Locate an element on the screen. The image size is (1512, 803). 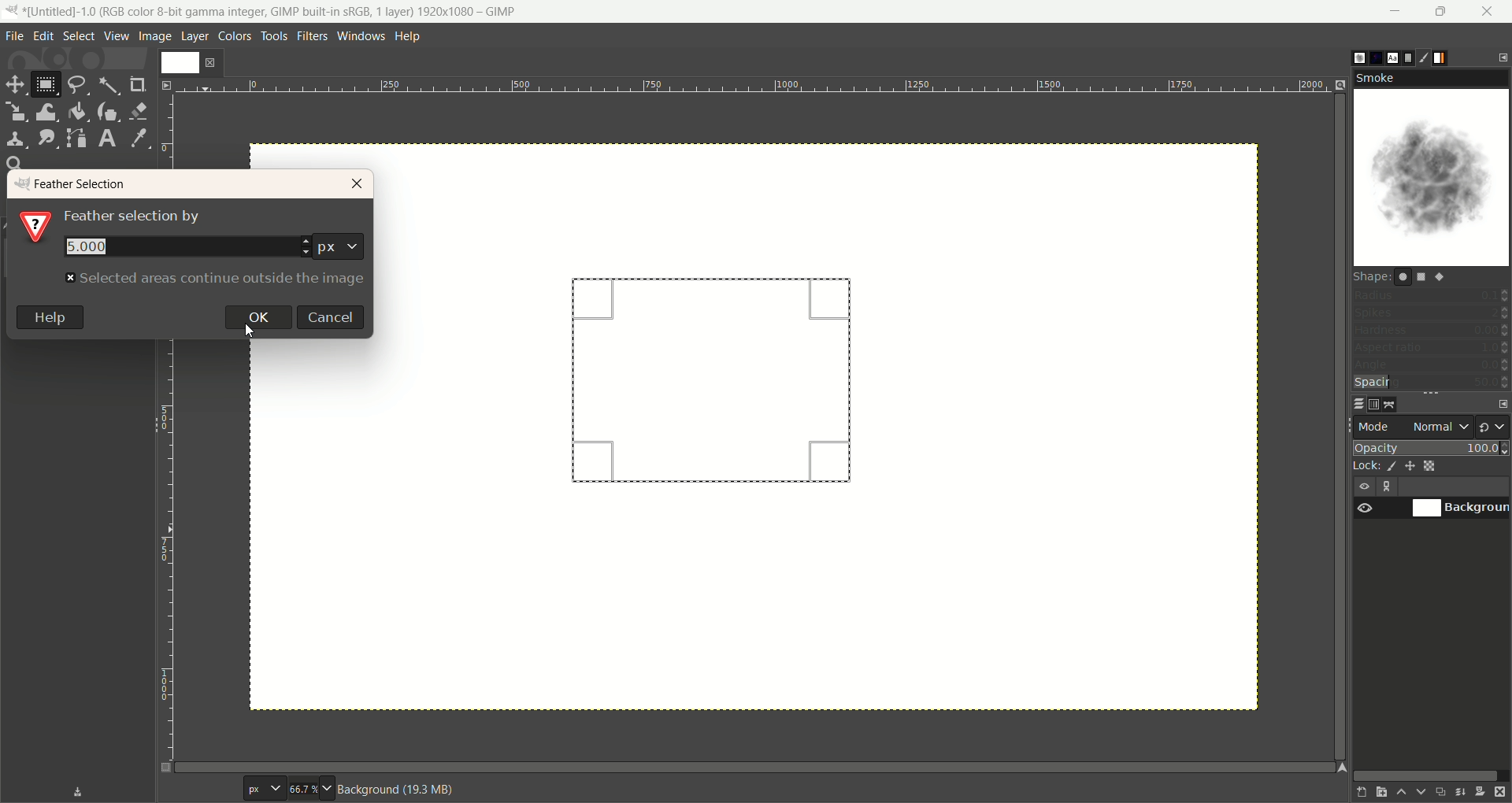
scale bar is located at coordinates (753, 88).